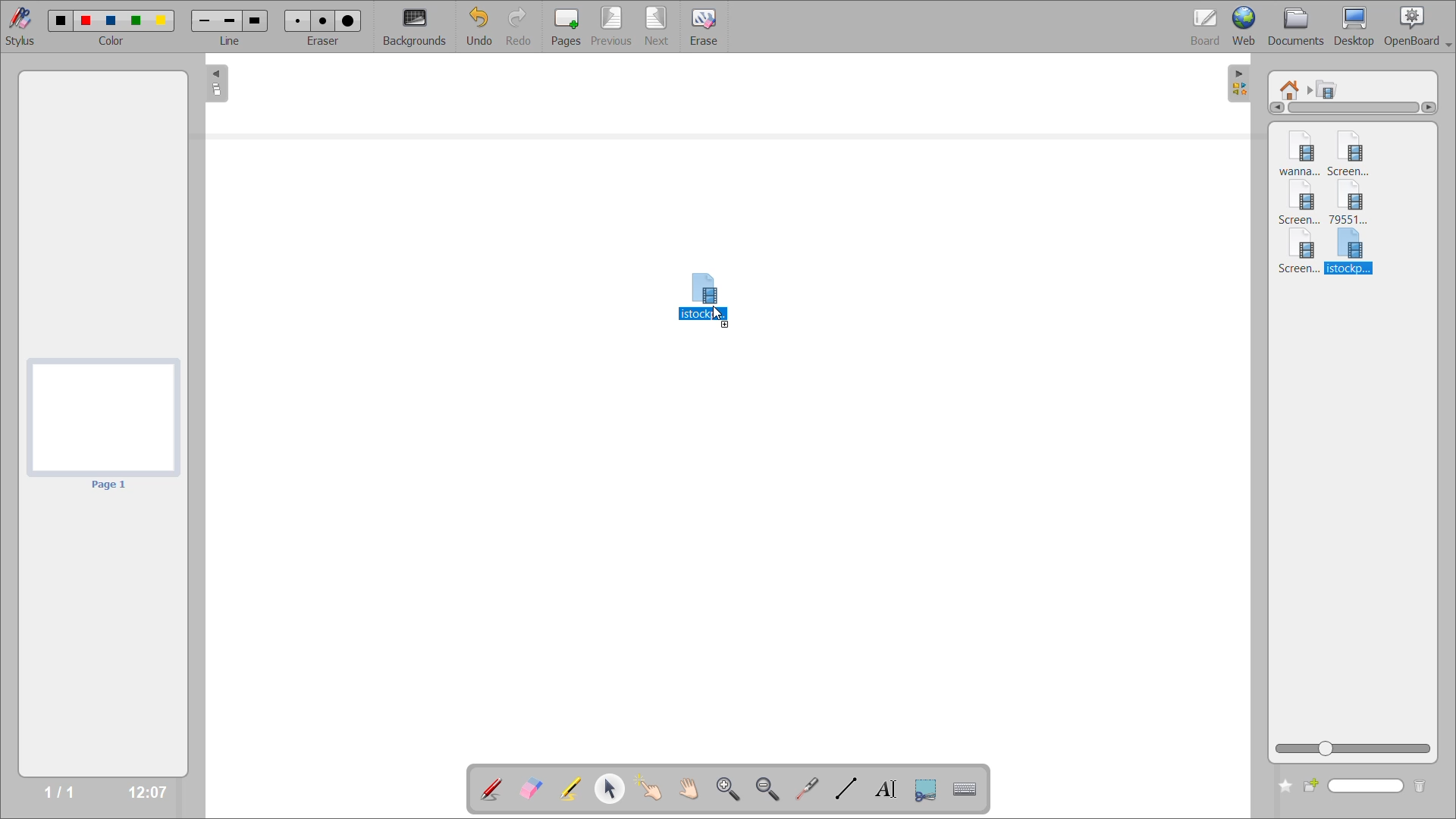 This screenshot has height=819, width=1456. Describe the element at coordinates (519, 26) in the screenshot. I see `redo` at that location.